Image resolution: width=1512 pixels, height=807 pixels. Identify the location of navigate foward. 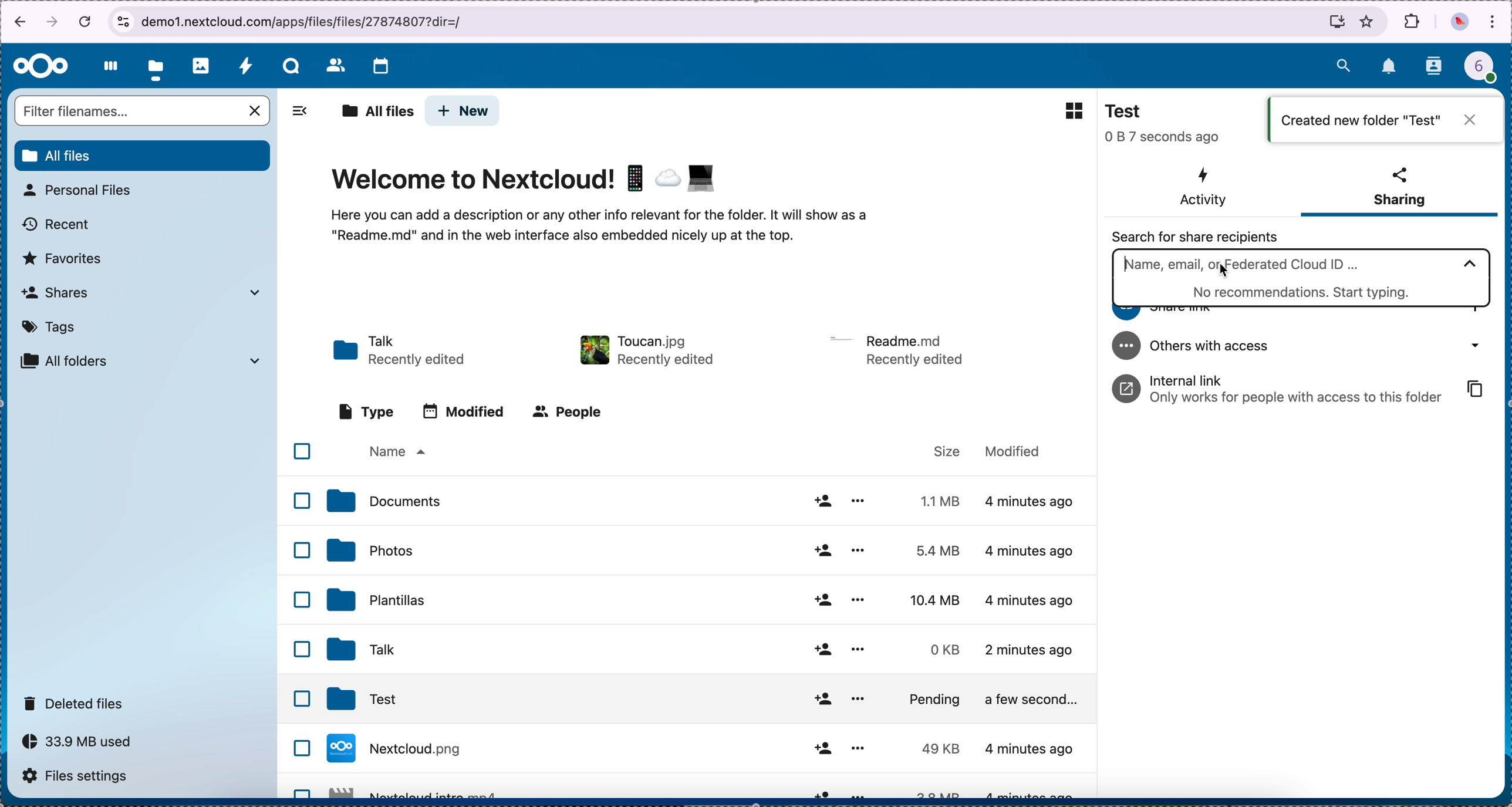
(53, 23).